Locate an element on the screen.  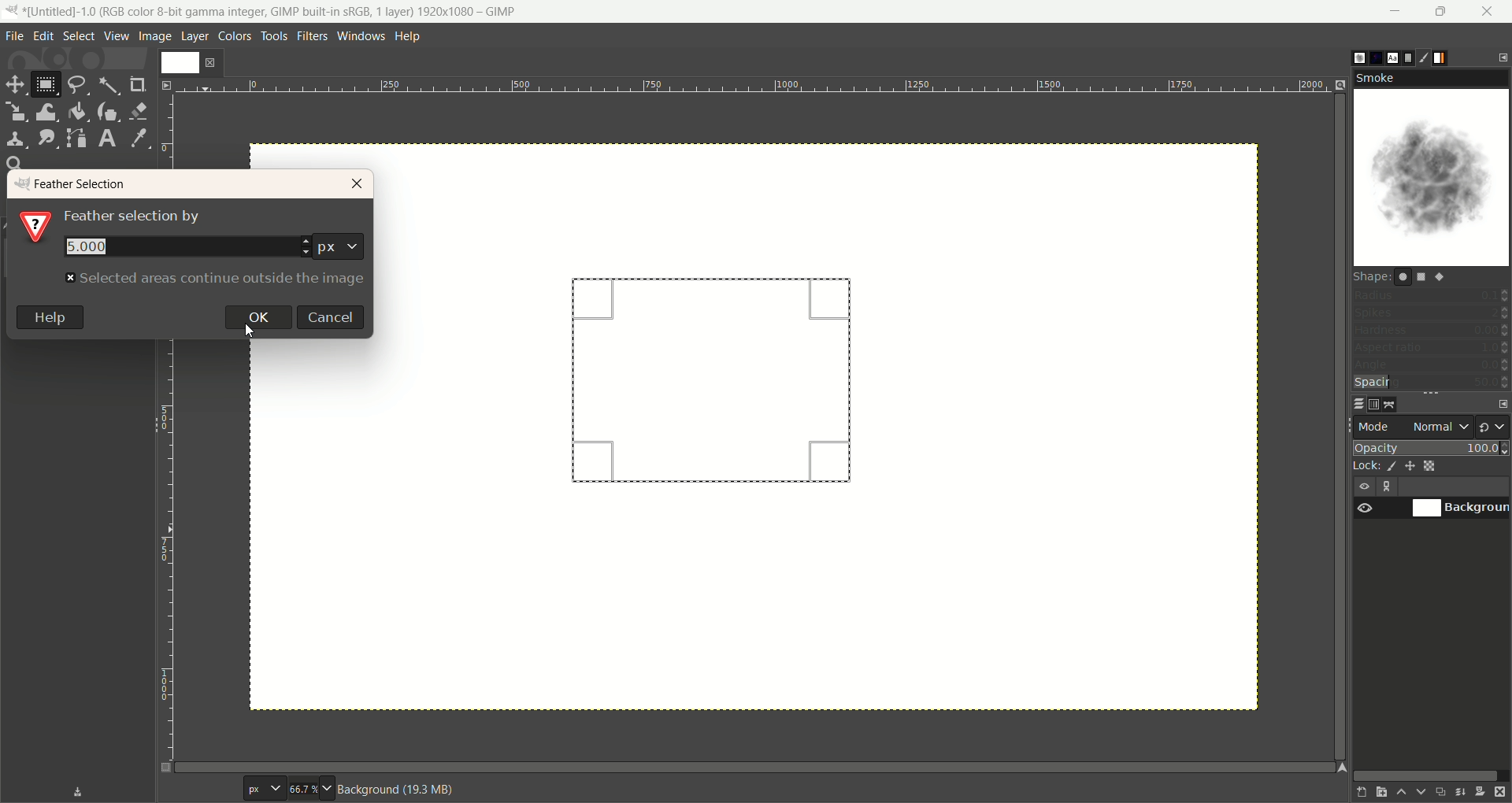
radius is located at coordinates (1431, 296).